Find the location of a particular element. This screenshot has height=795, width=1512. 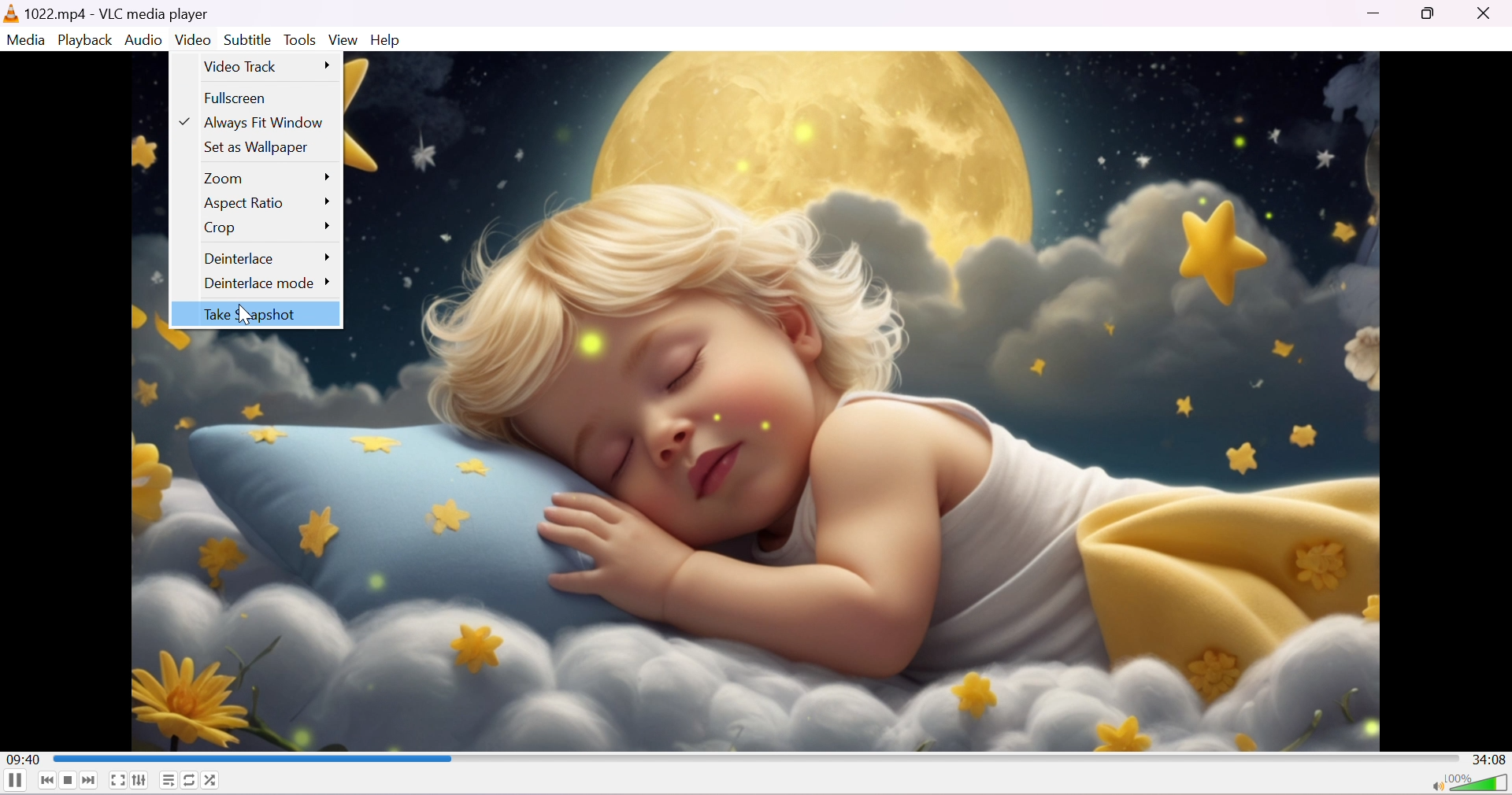

Show extended settings is located at coordinates (139, 782).